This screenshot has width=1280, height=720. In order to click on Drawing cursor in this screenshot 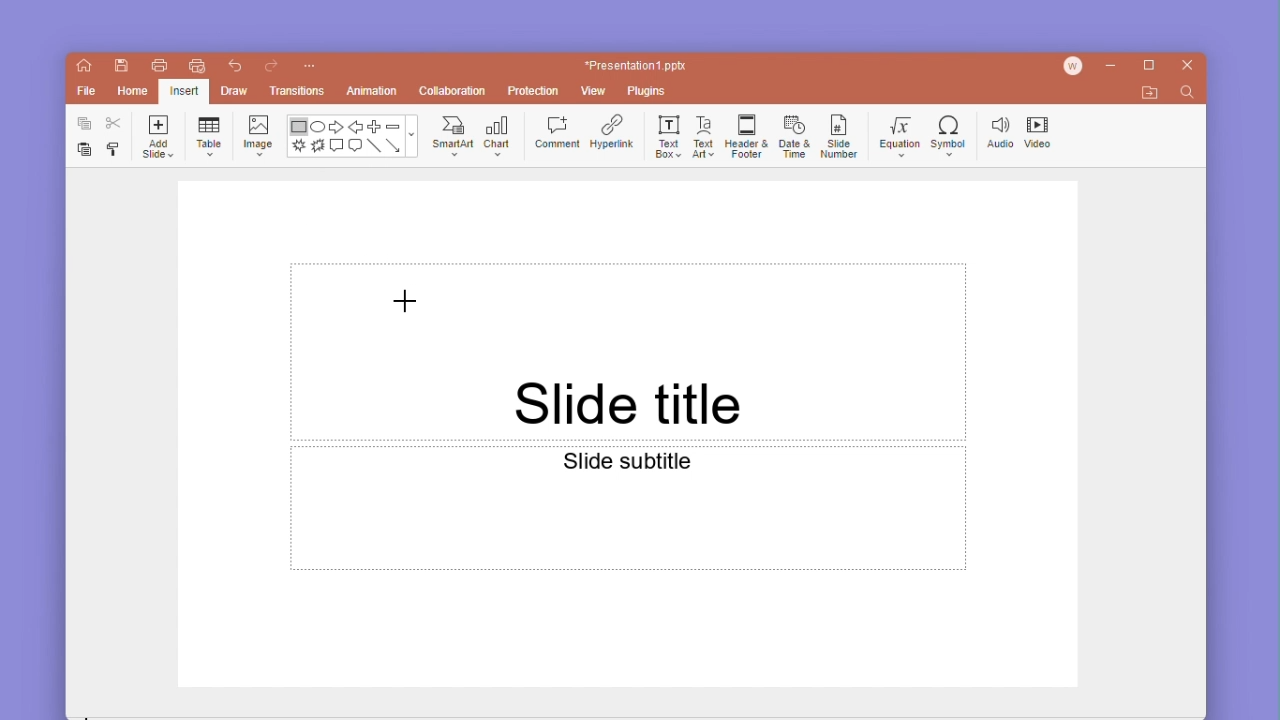, I will do `click(407, 302)`.